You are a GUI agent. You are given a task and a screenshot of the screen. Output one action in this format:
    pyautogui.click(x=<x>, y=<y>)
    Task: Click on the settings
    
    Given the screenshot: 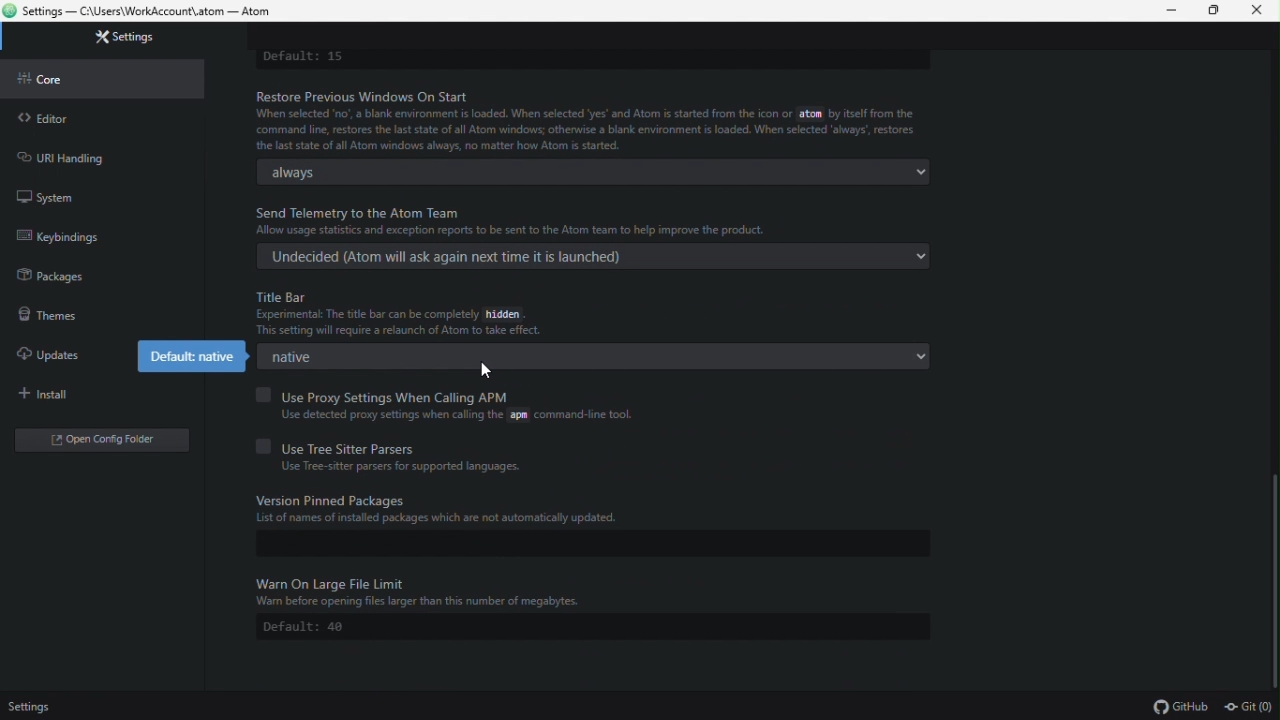 What is the action you would take?
    pyautogui.click(x=31, y=708)
    